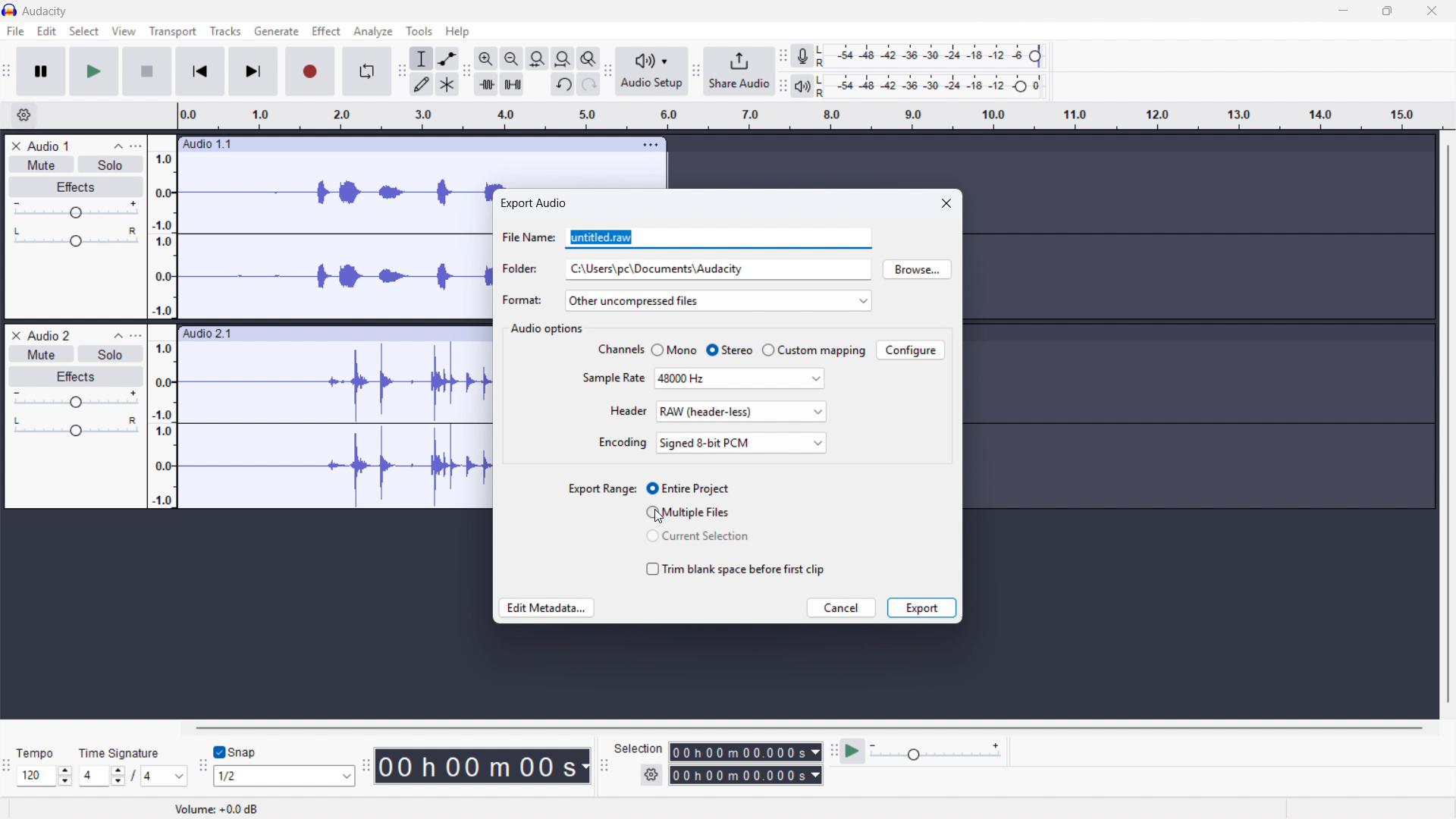  Describe the element at coordinates (937, 752) in the screenshot. I see `Playback speed` at that location.